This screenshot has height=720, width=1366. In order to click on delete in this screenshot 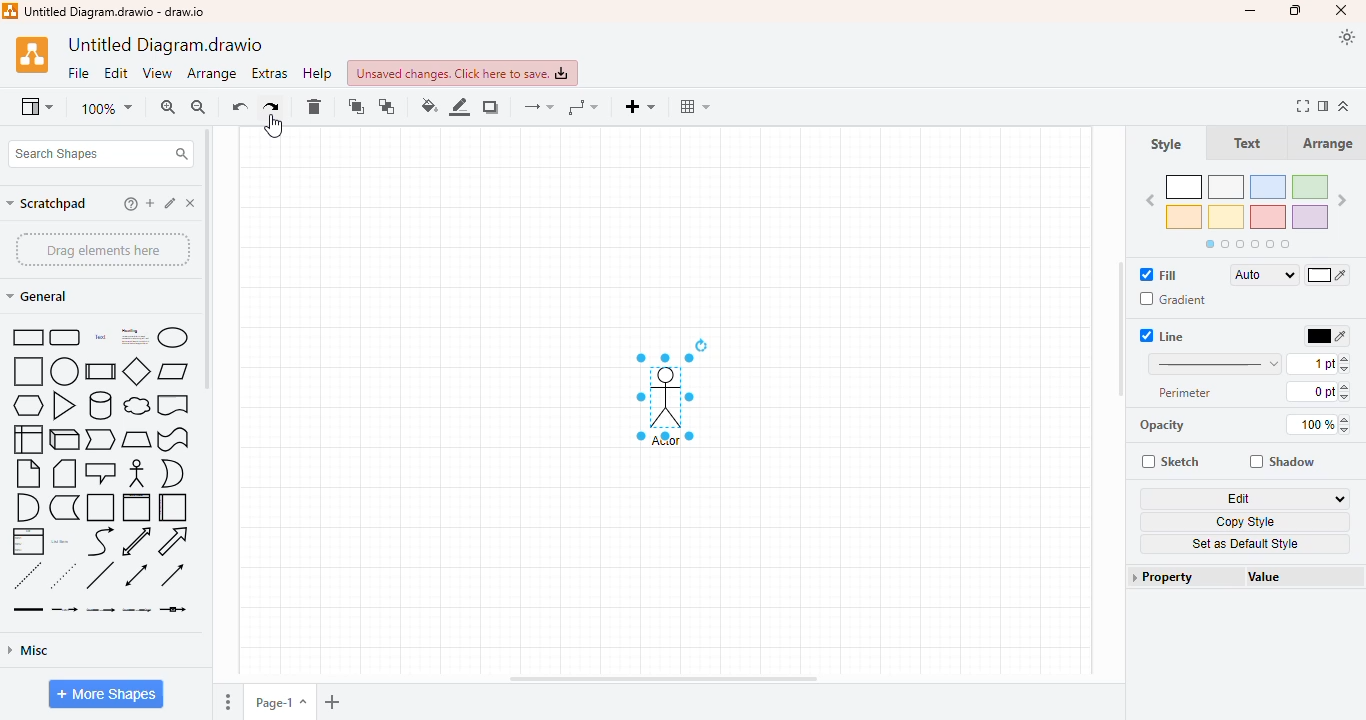, I will do `click(313, 107)`.